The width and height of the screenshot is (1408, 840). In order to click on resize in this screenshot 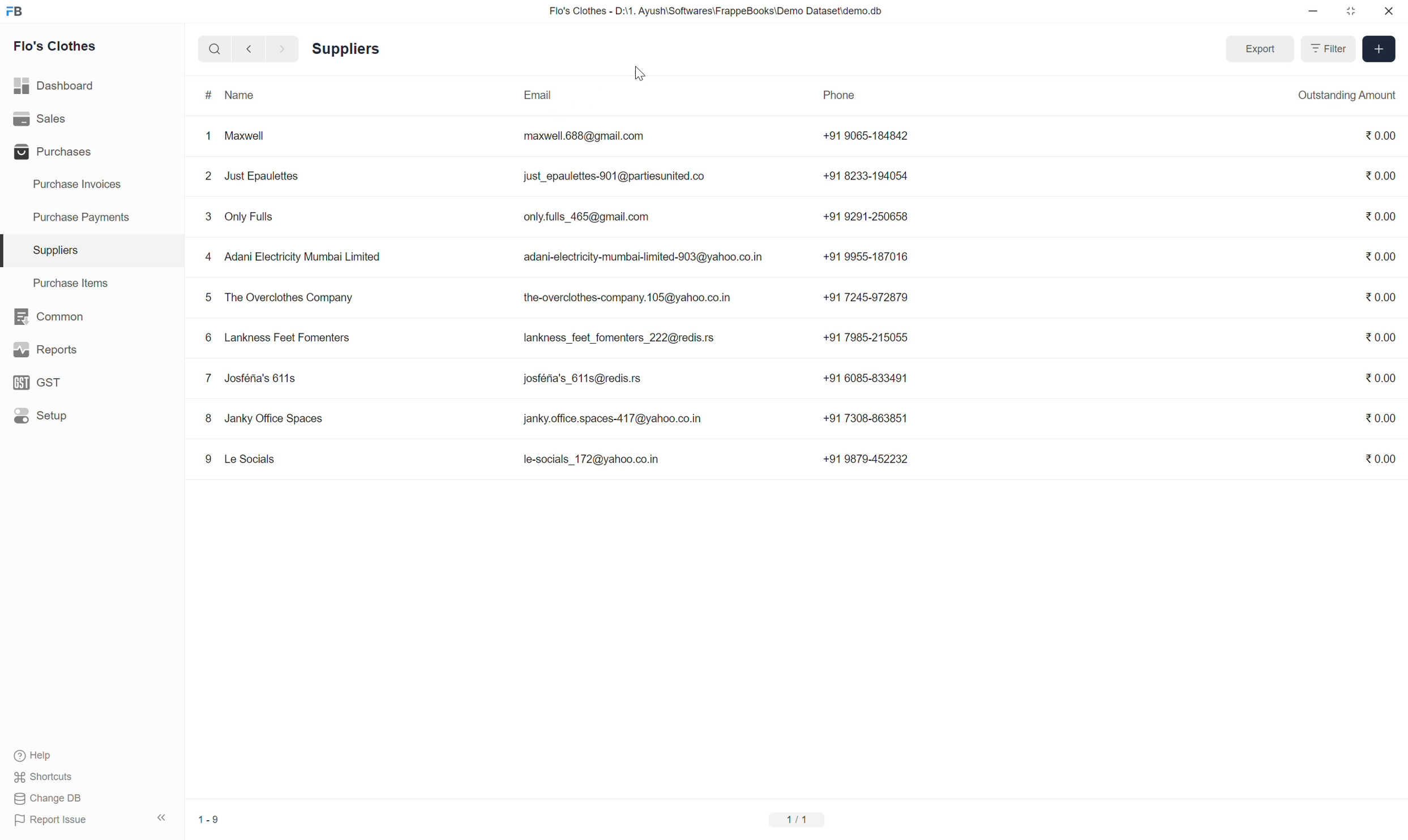, I will do `click(1349, 11)`.